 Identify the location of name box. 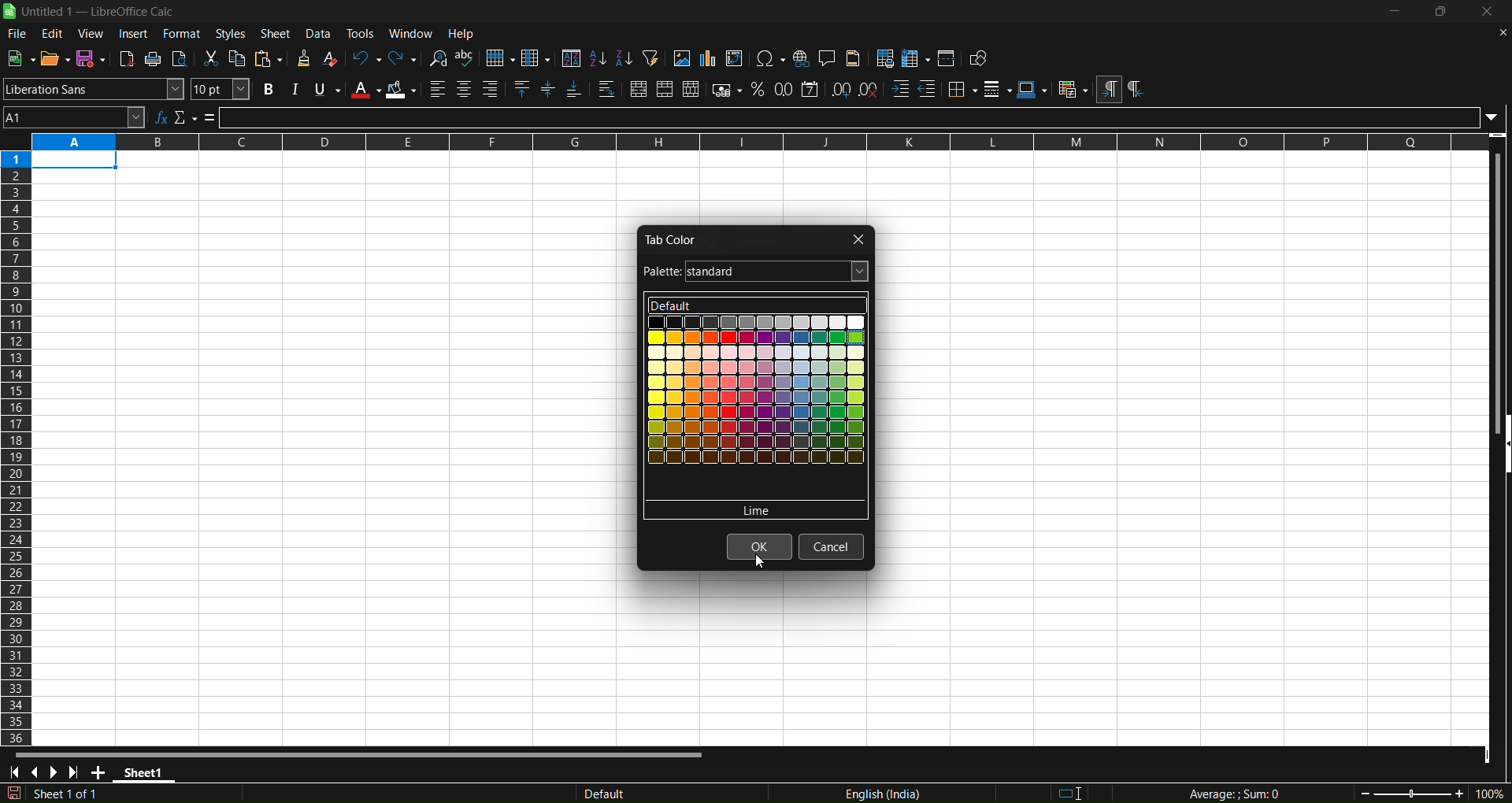
(74, 117).